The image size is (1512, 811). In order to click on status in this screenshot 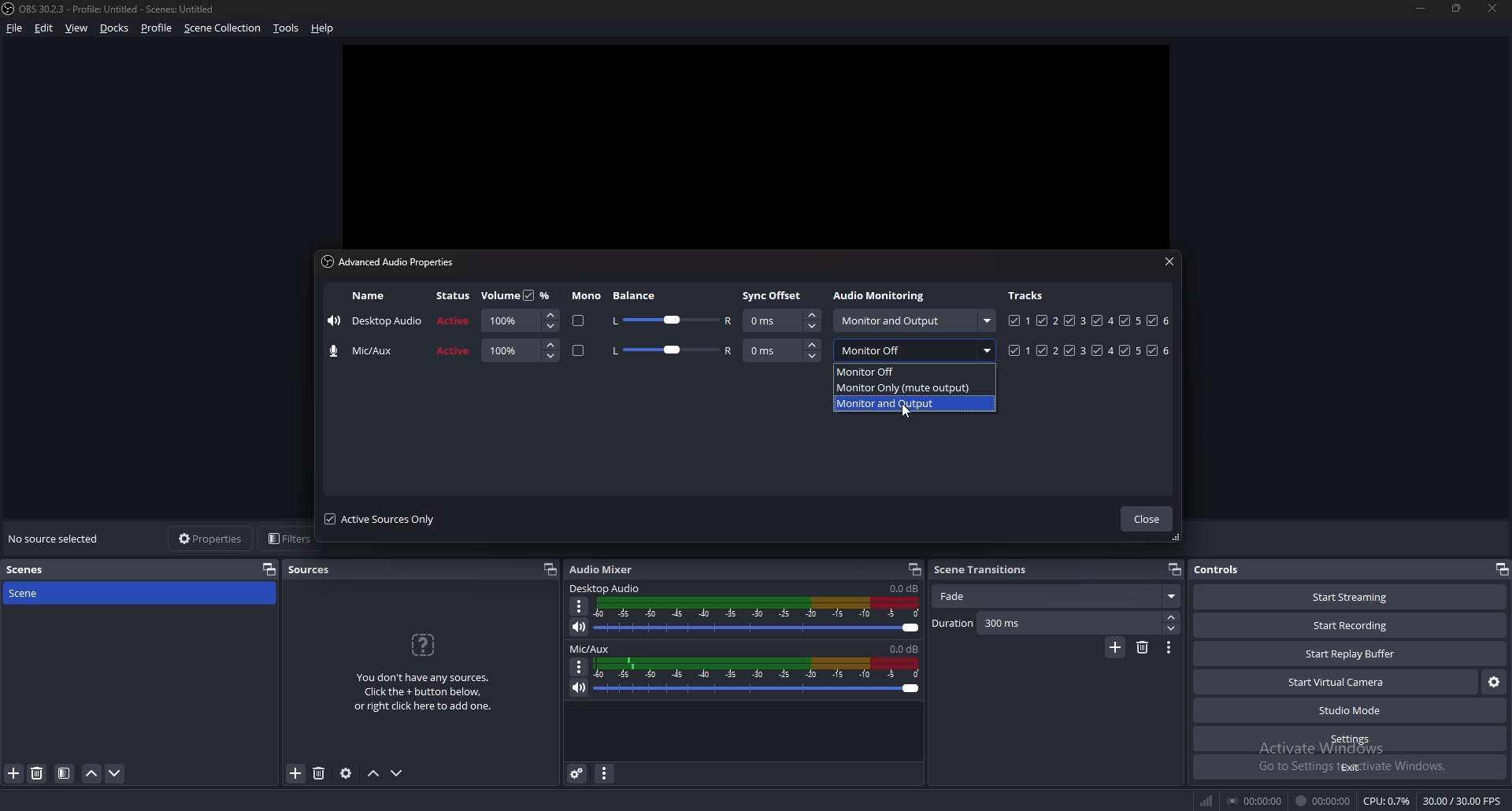, I will do `click(454, 320)`.